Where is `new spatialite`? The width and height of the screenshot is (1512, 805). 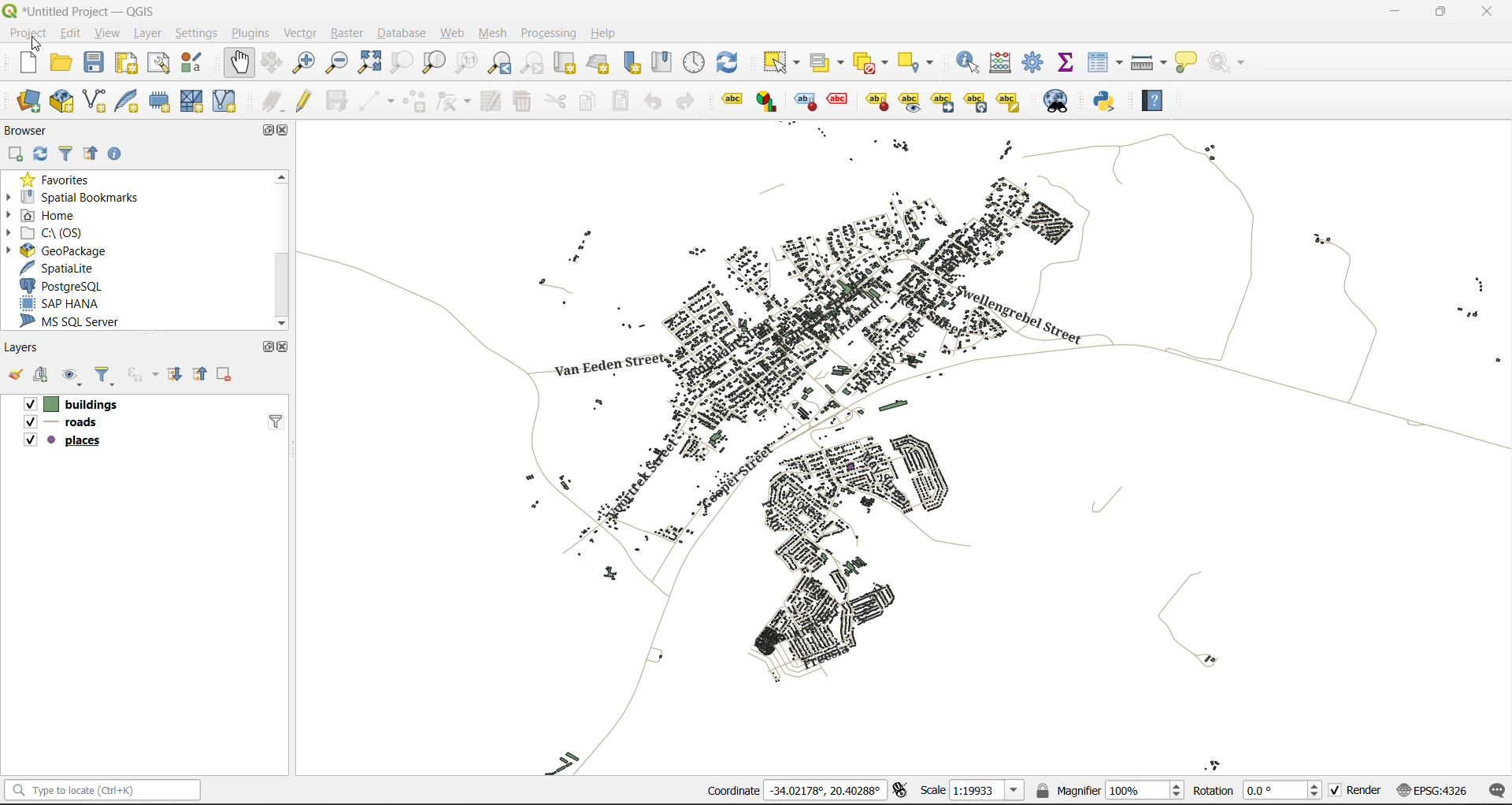
new spatialite is located at coordinates (127, 102).